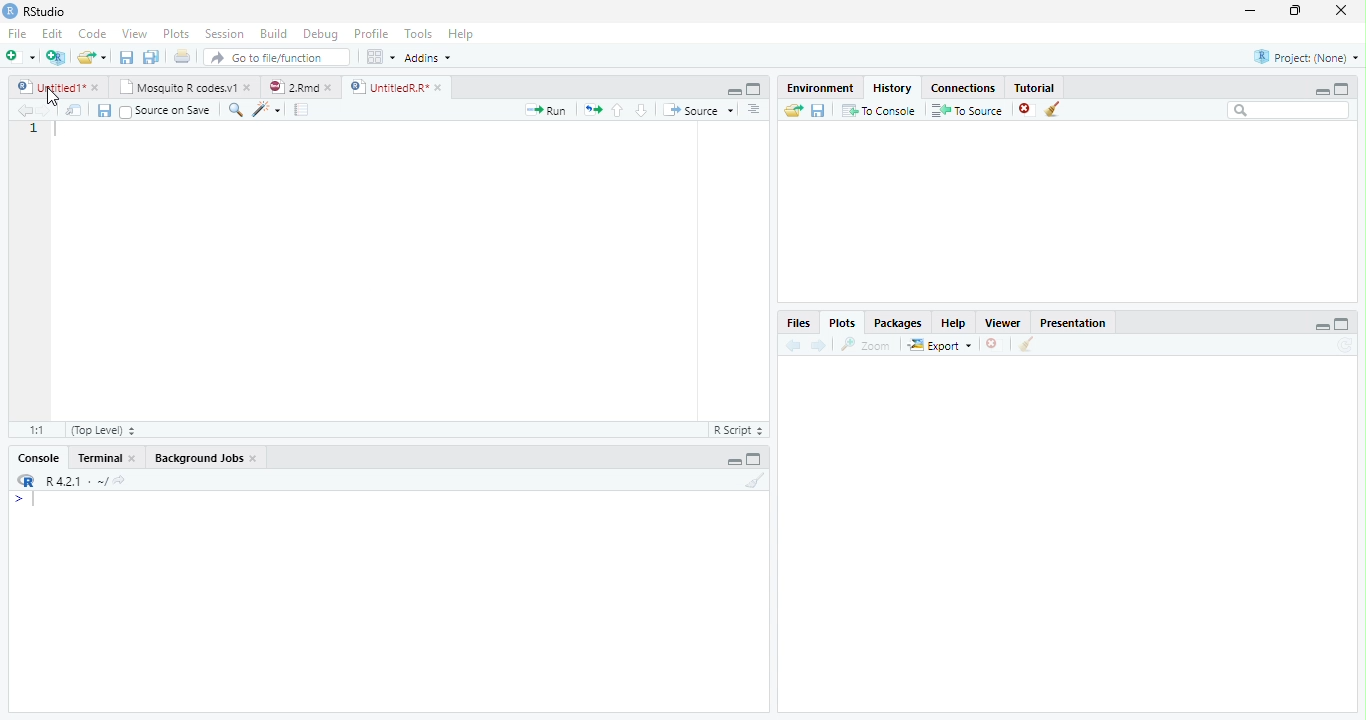  I want to click on minimize, so click(1319, 91).